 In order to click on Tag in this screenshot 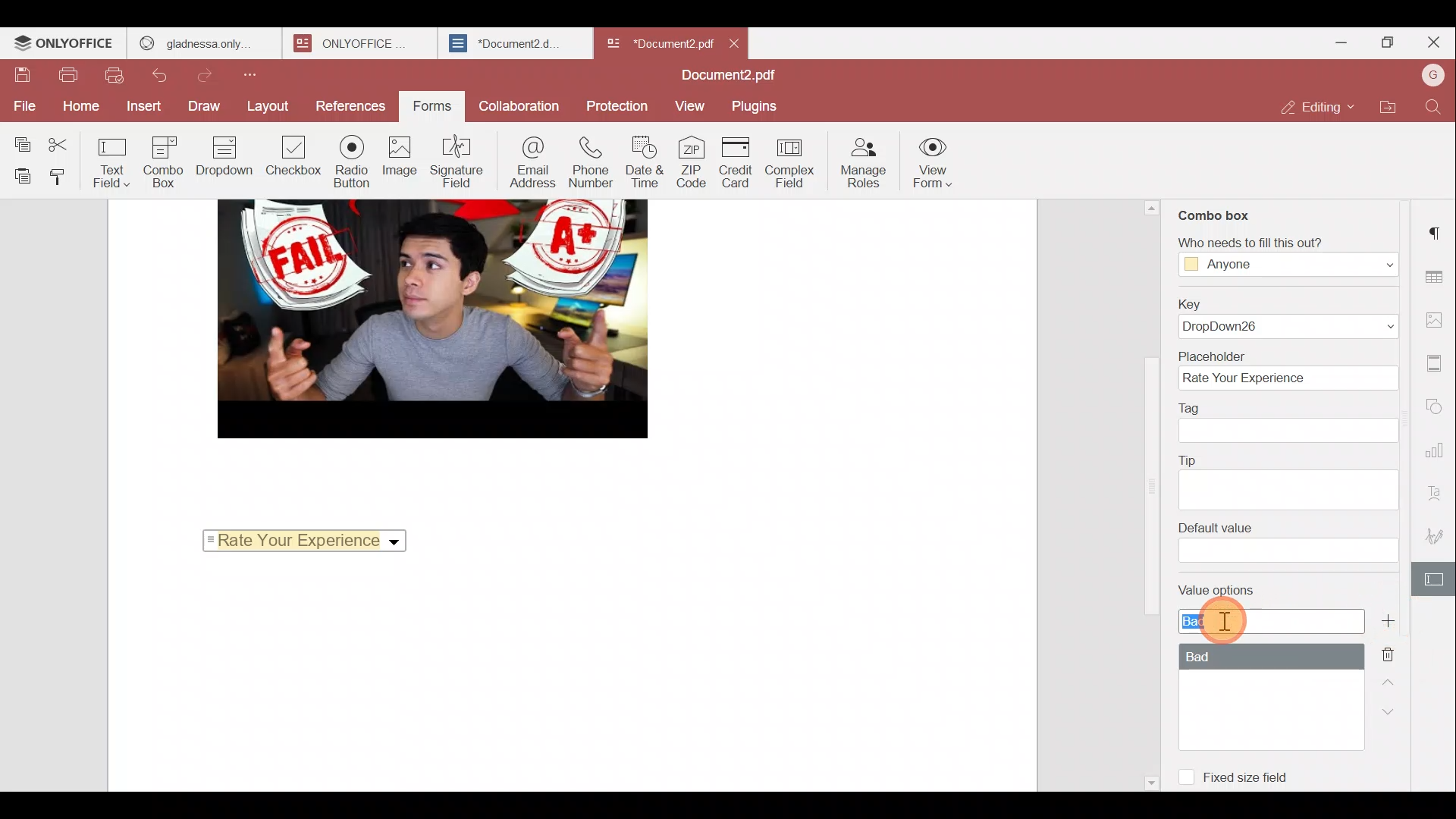, I will do `click(1291, 422)`.